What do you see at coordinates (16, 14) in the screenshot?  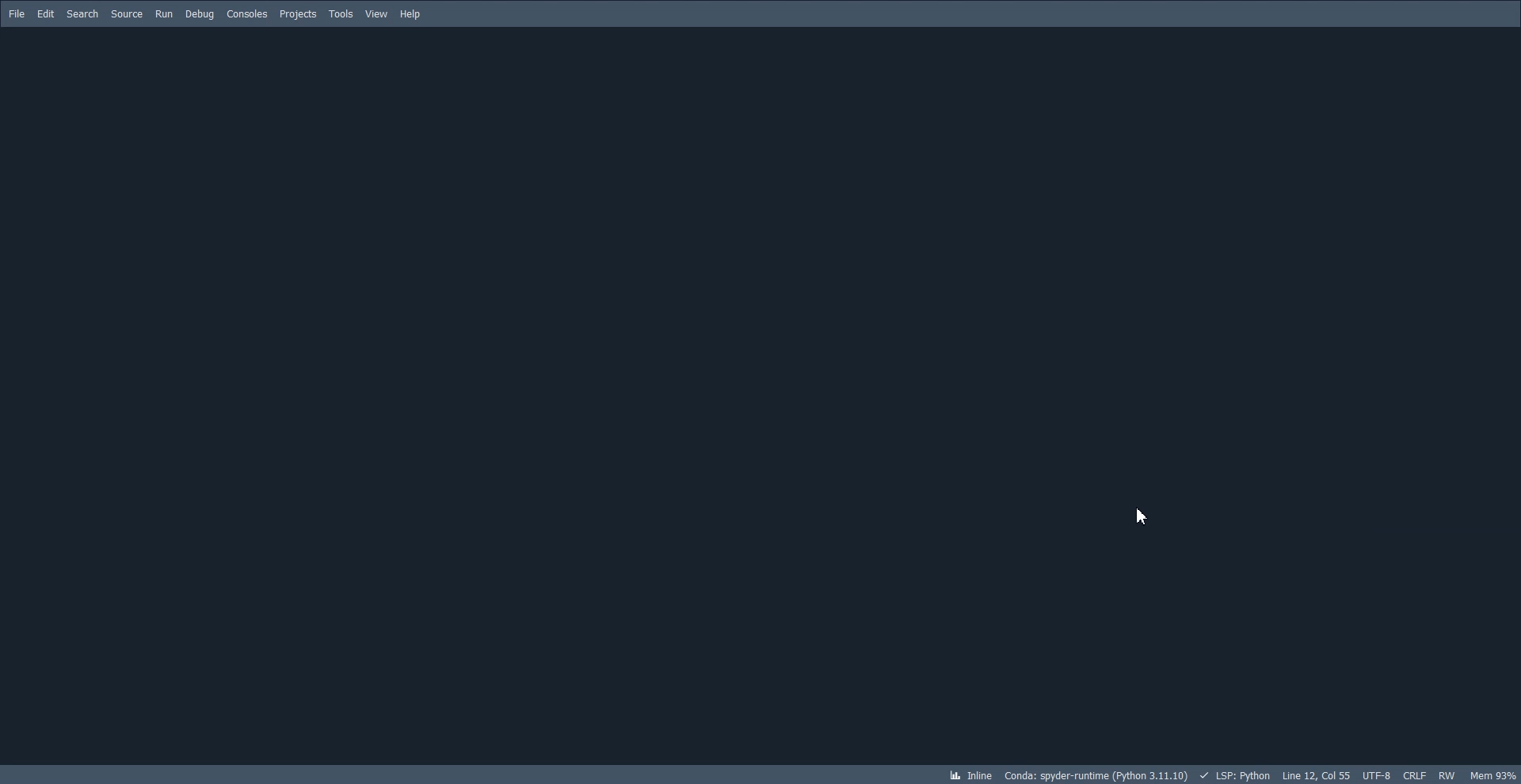 I see `File` at bounding box center [16, 14].